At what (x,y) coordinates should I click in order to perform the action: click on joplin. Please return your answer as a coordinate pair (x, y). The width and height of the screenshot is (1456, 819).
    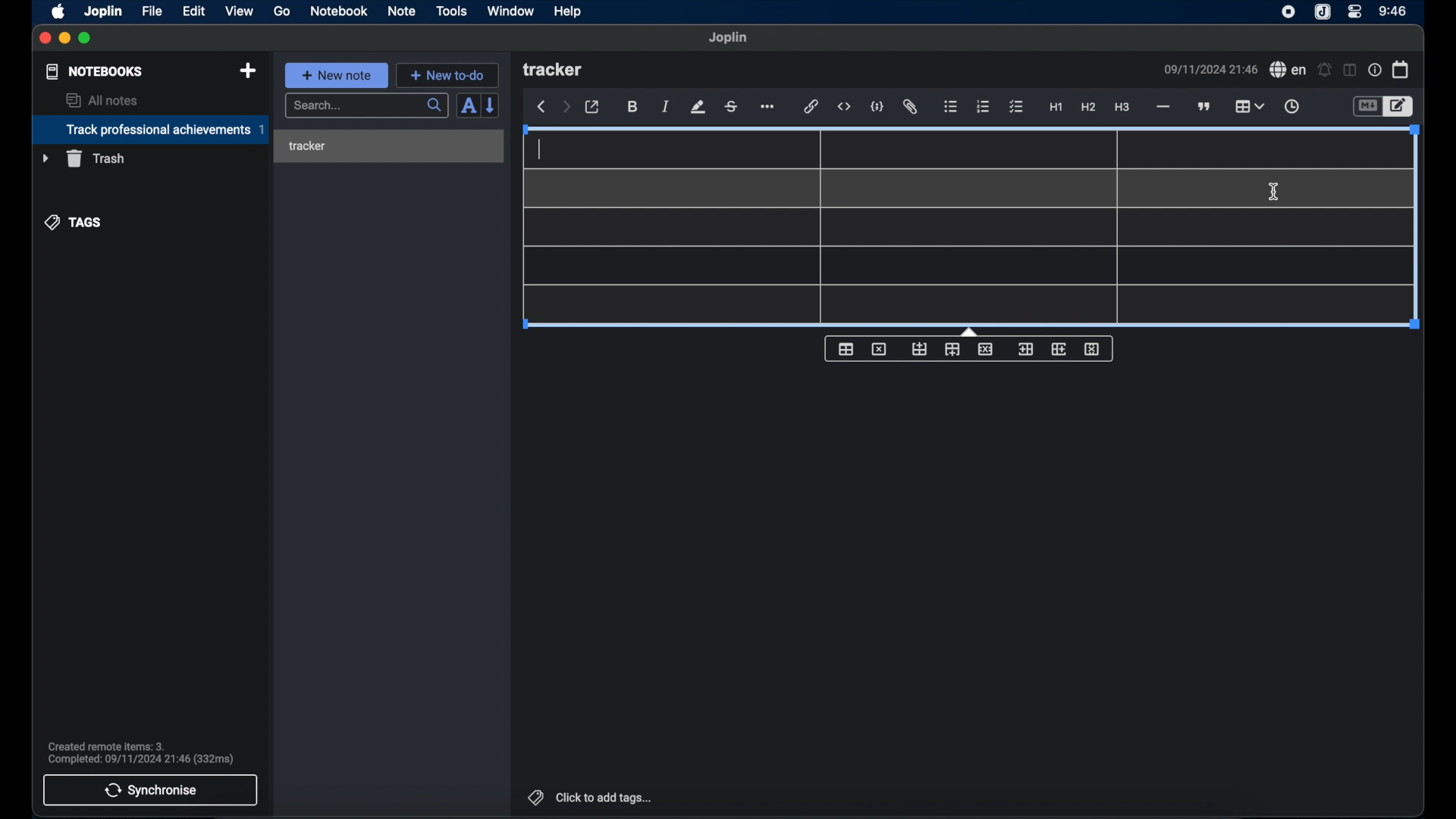
    Looking at the image, I should click on (1323, 13).